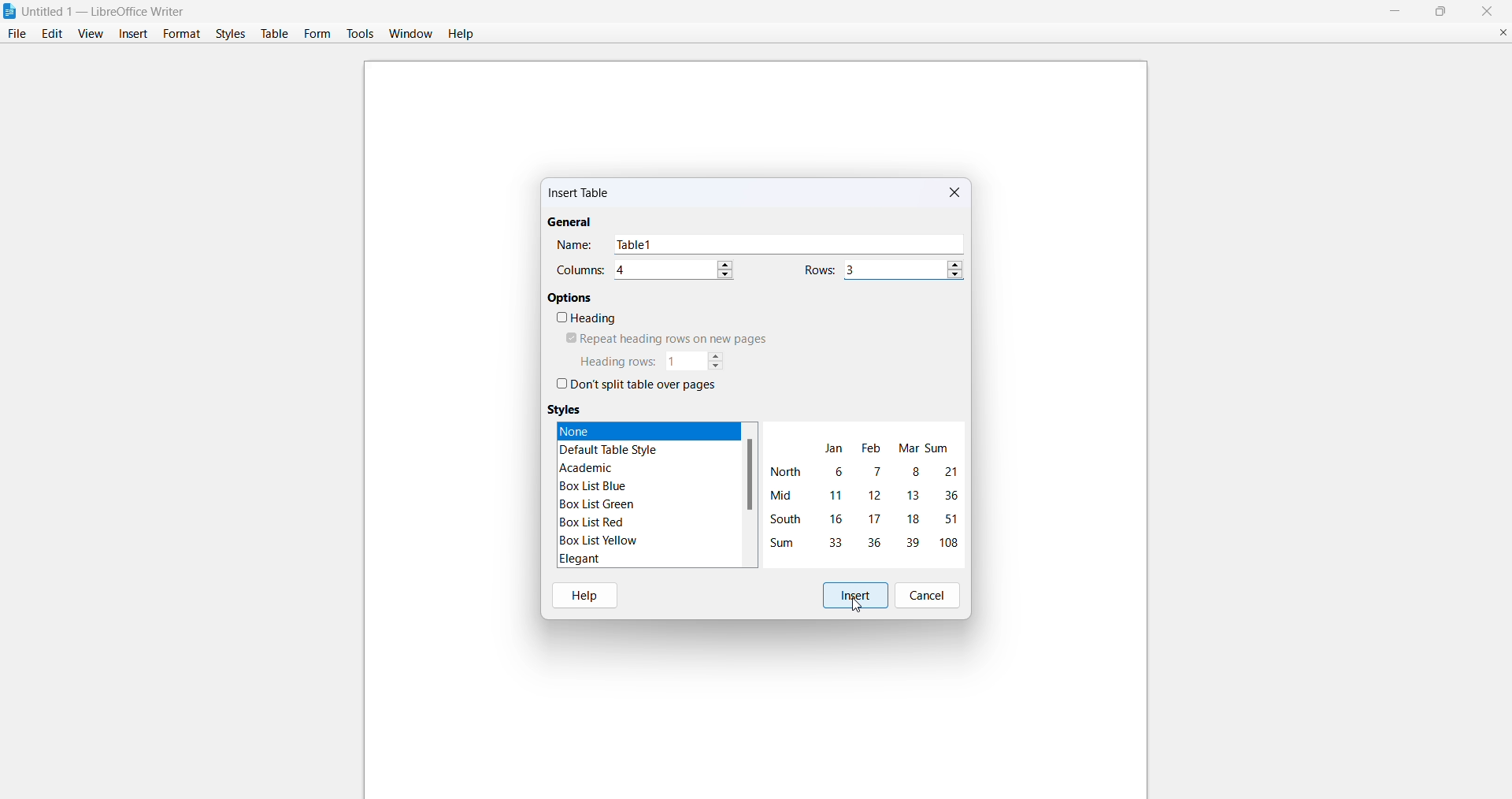 The image size is (1512, 799). I want to click on table name Table 1, so click(790, 244).